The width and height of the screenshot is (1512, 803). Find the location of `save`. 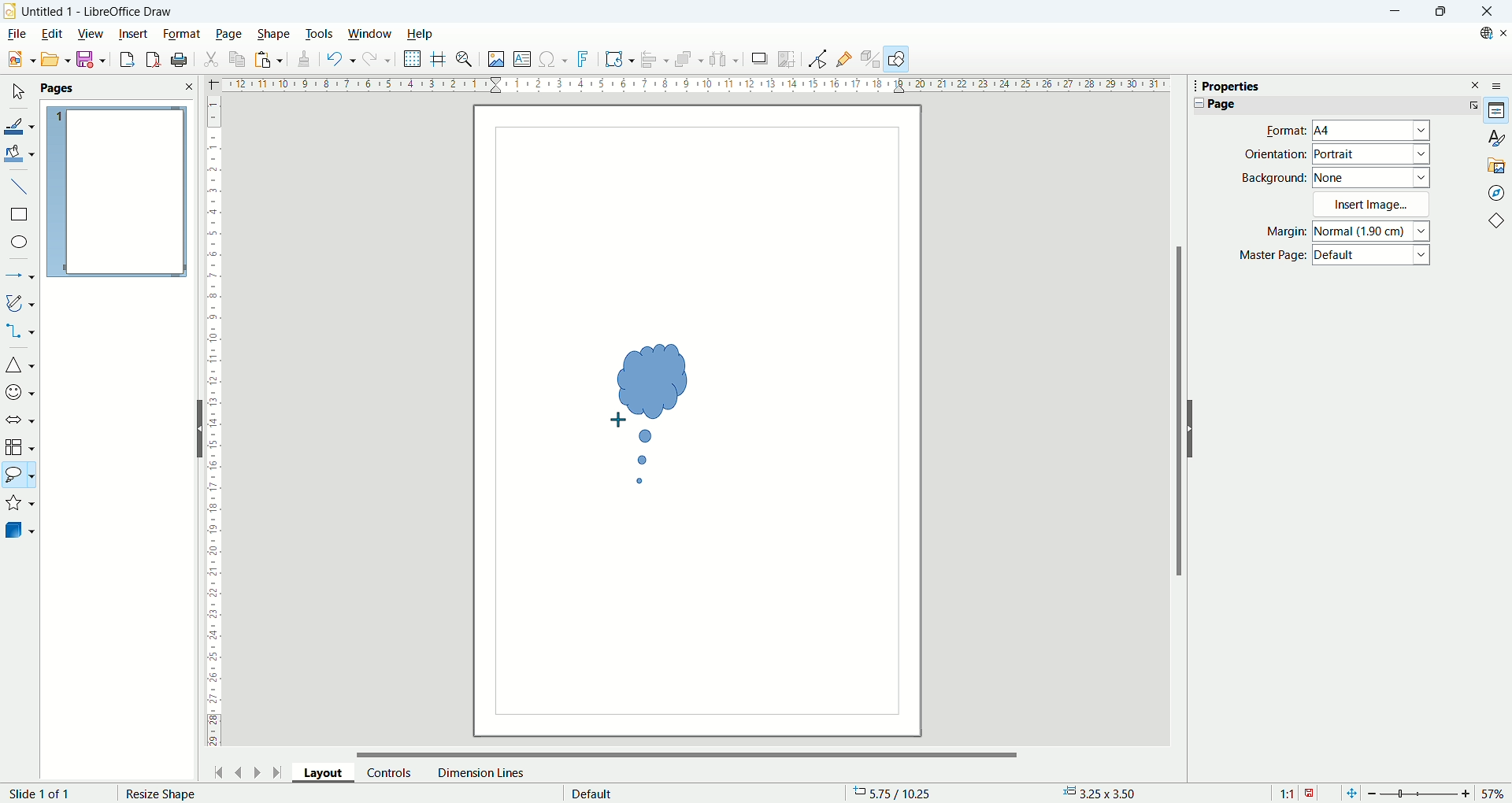

save is located at coordinates (91, 60).